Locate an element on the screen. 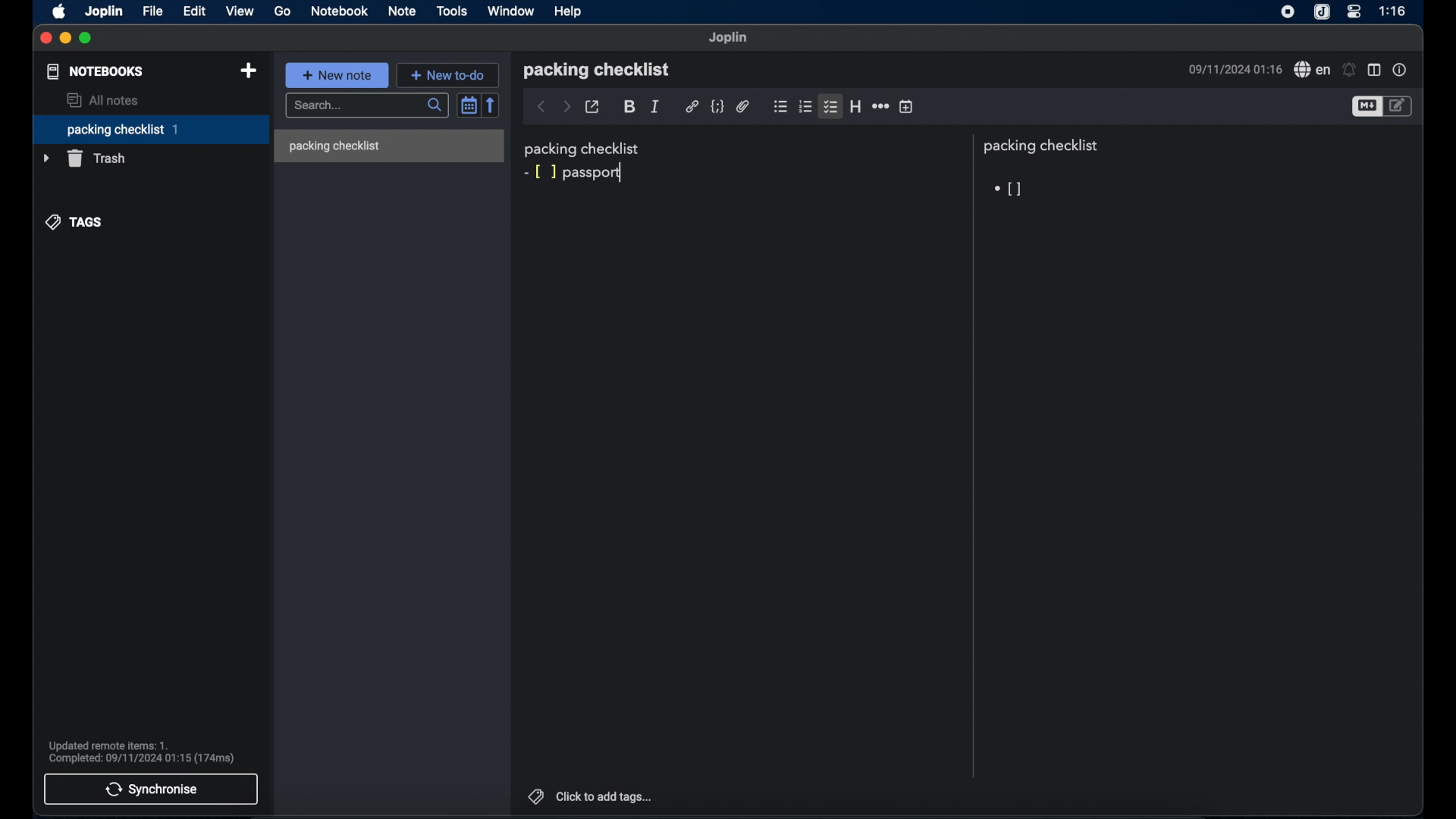  back is located at coordinates (541, 107).